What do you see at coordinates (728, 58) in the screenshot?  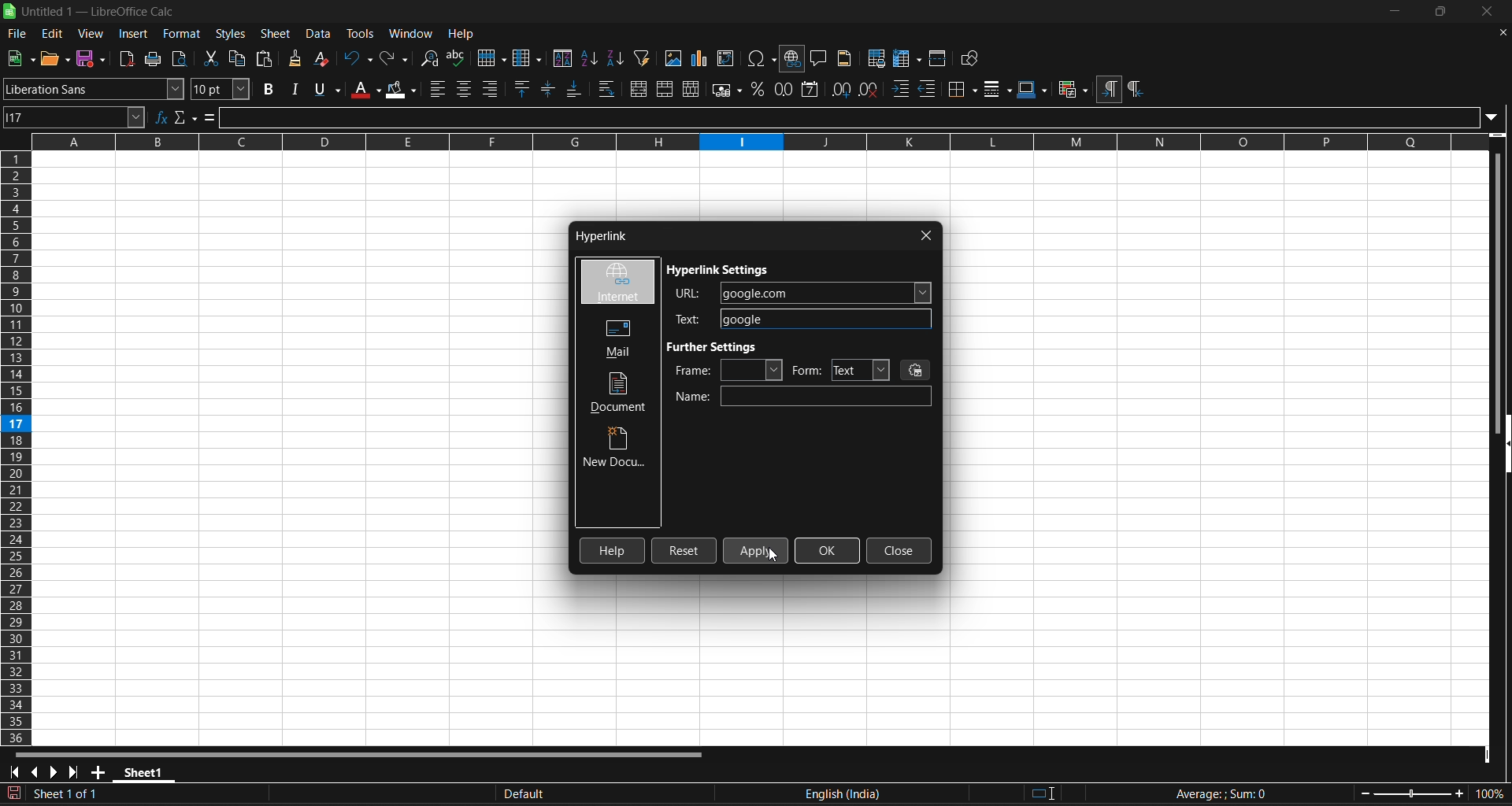 I see `insert or edit pivot table` at bounding box center [728, 58].